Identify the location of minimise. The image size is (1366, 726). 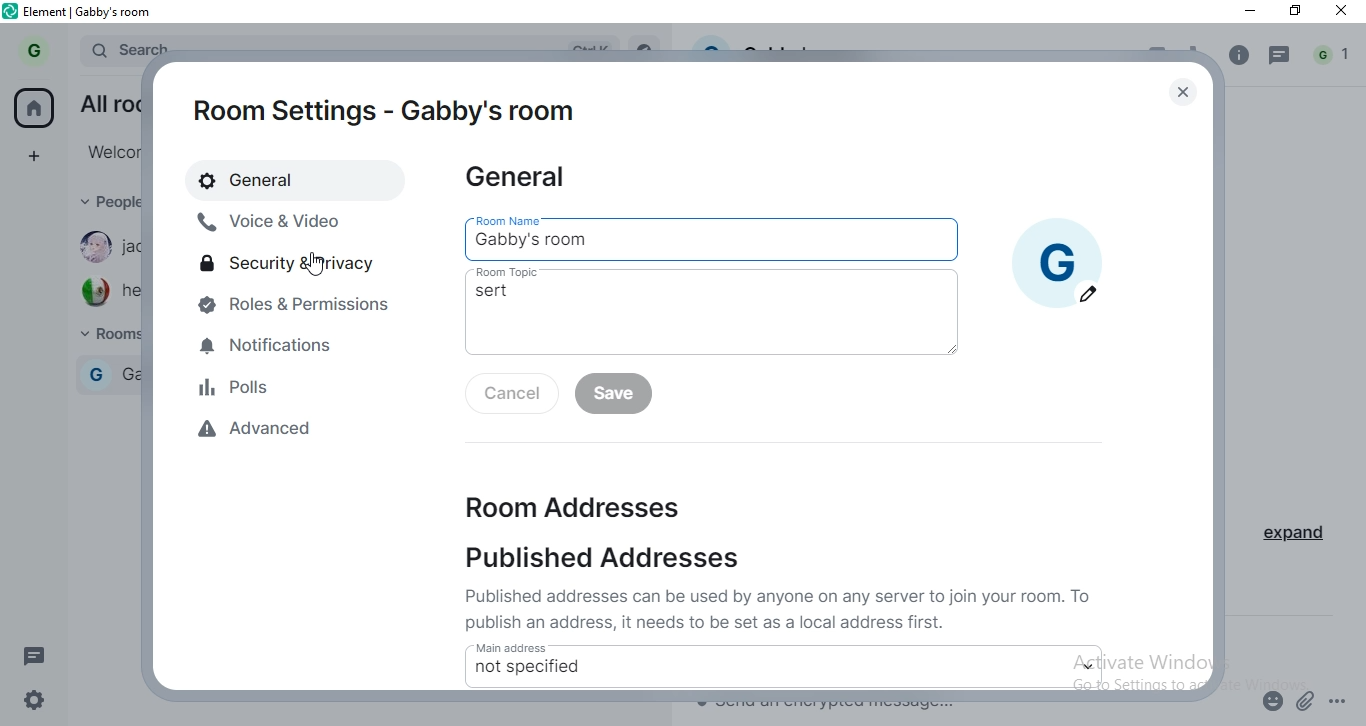
(1247, 13).